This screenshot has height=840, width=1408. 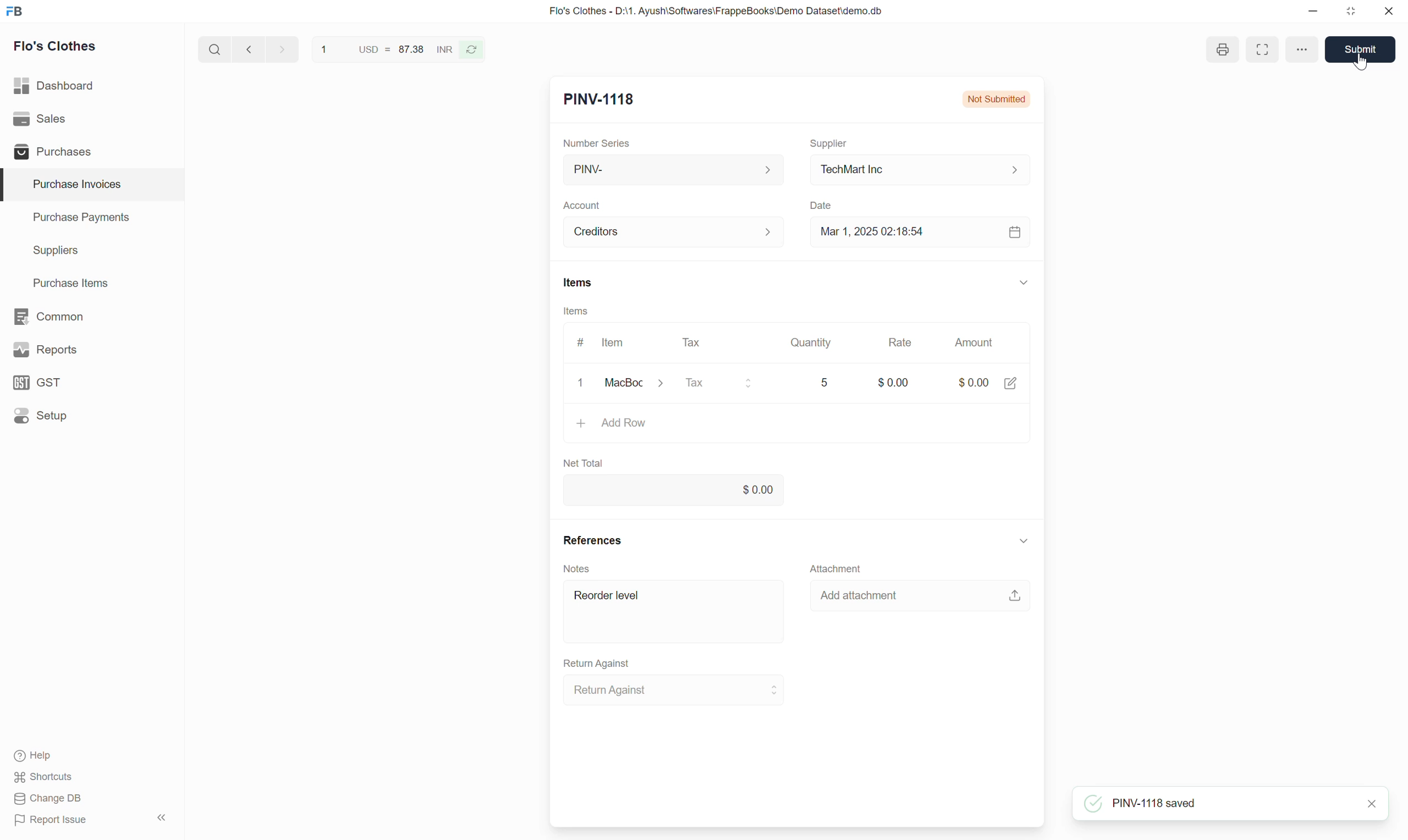 What do you see at coordinates (92, 251) in the screenshot?
I see `Suppliers` at bounding box center [92, 251].